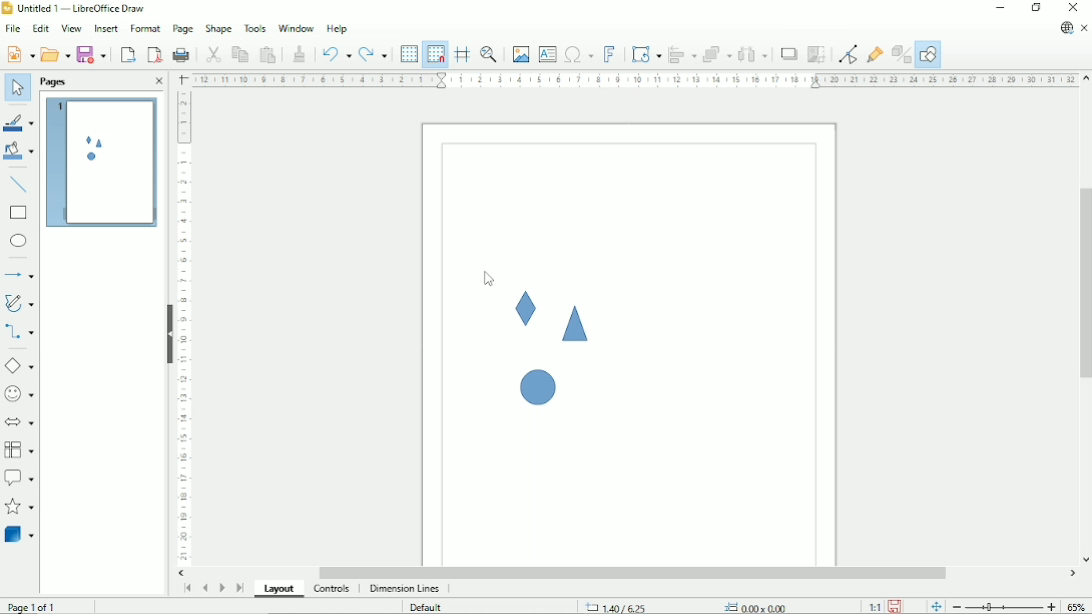 Image resolution: width=1092 pixels, height=614 pixels. What do you see at coordinates (12, 28) in the screenshot?
I see `File` at bounding box center [12, 28].